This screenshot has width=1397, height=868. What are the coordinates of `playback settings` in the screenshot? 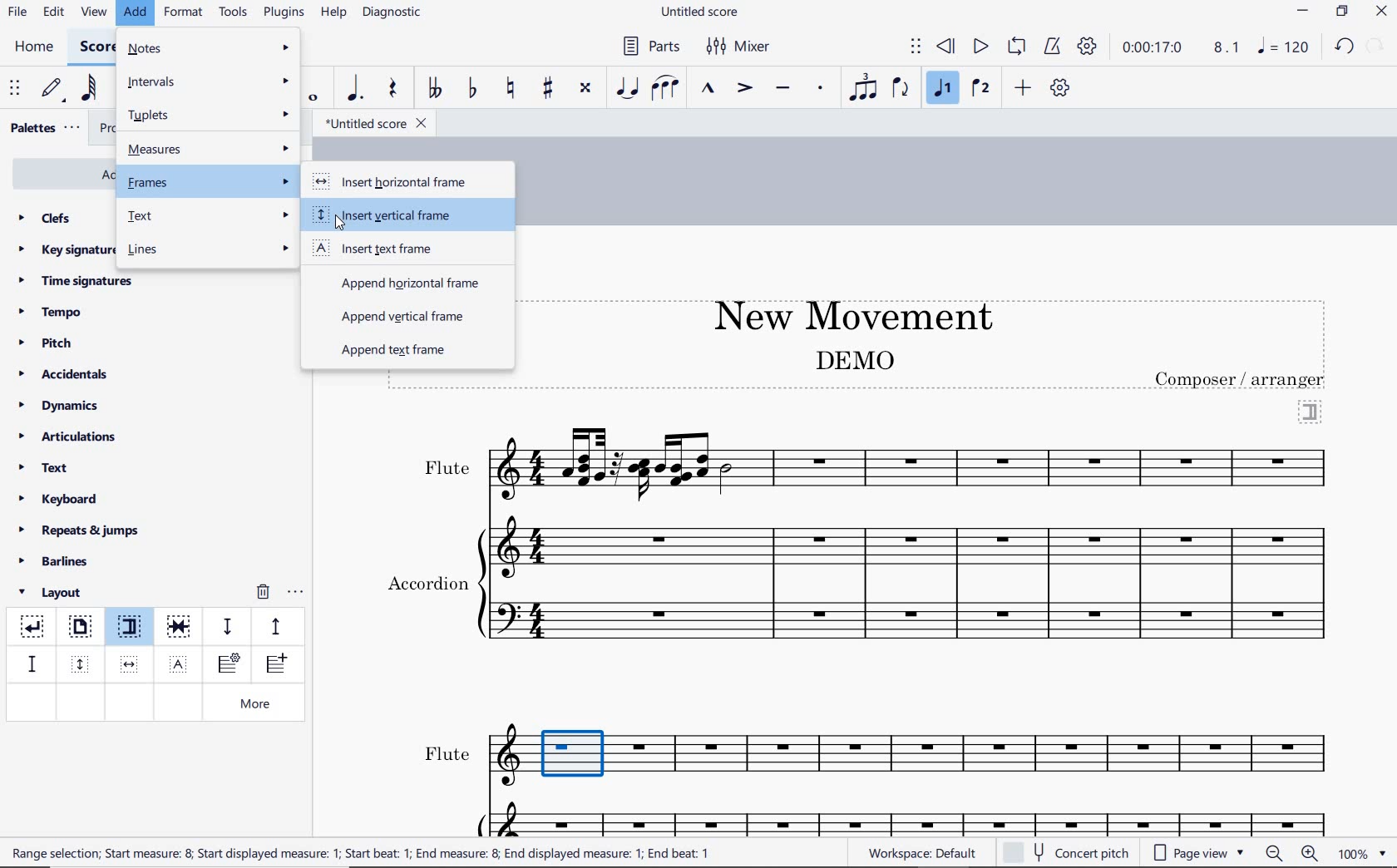 It's located at (1089, 46).